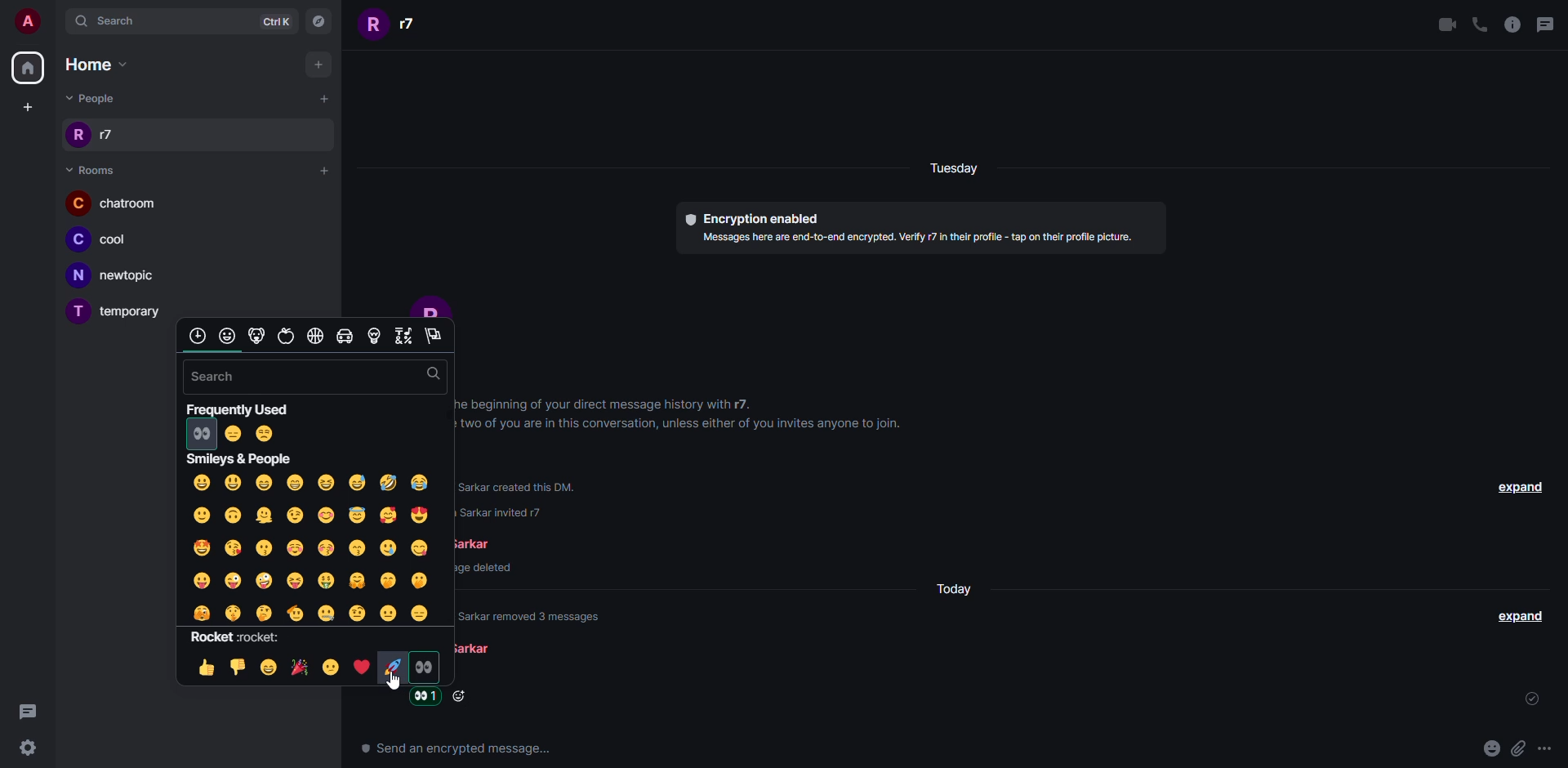  Describe the element at coordinates (435, 373) in the screenshot. I see `search` at that location.